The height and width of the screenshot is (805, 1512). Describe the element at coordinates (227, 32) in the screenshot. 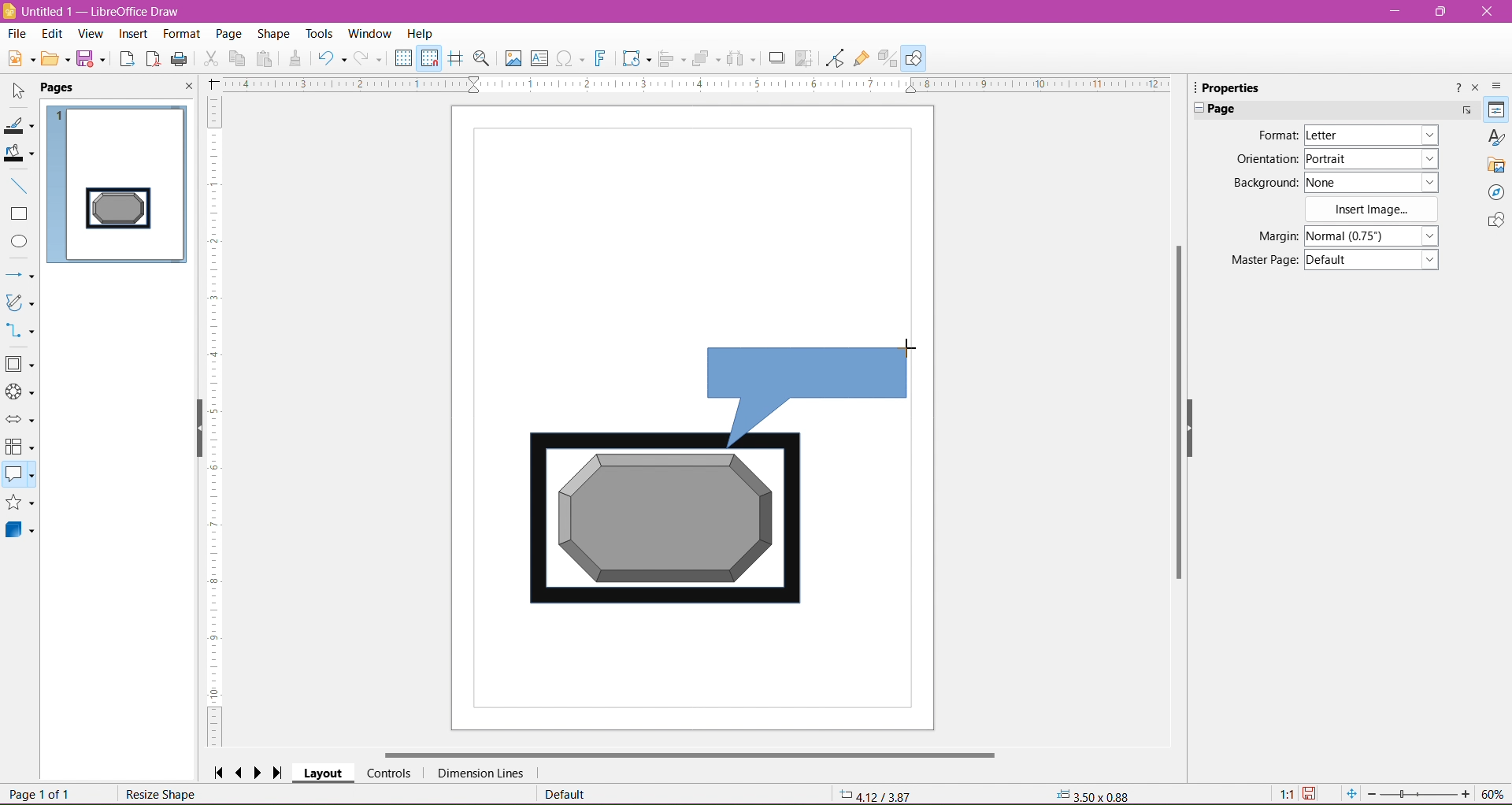

I see `Page` at that location.